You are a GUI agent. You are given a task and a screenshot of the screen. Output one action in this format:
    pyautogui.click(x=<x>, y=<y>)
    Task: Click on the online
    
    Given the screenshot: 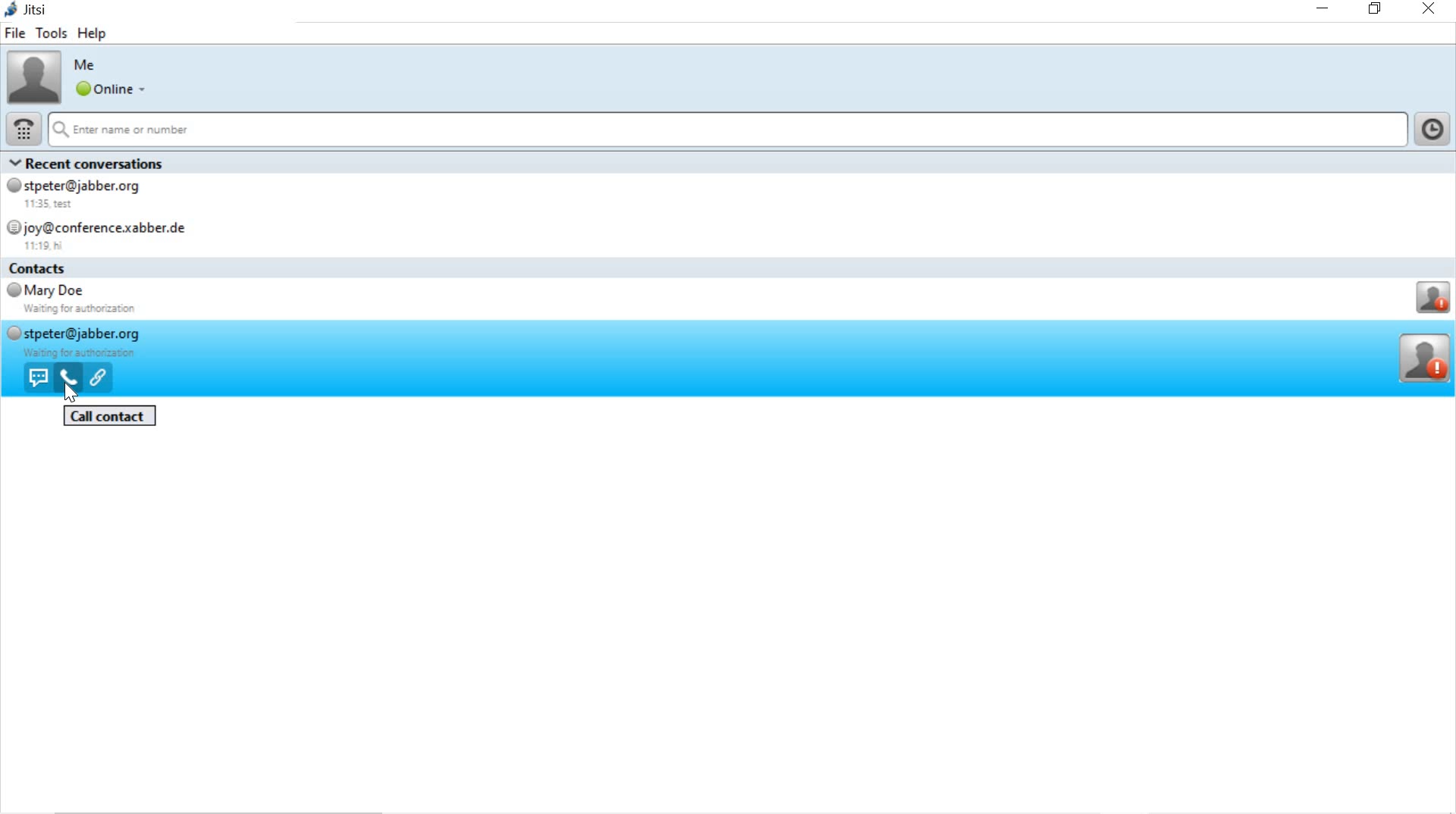 What is the action you would take?
    pyautogui.click(x=110, y=89)
    